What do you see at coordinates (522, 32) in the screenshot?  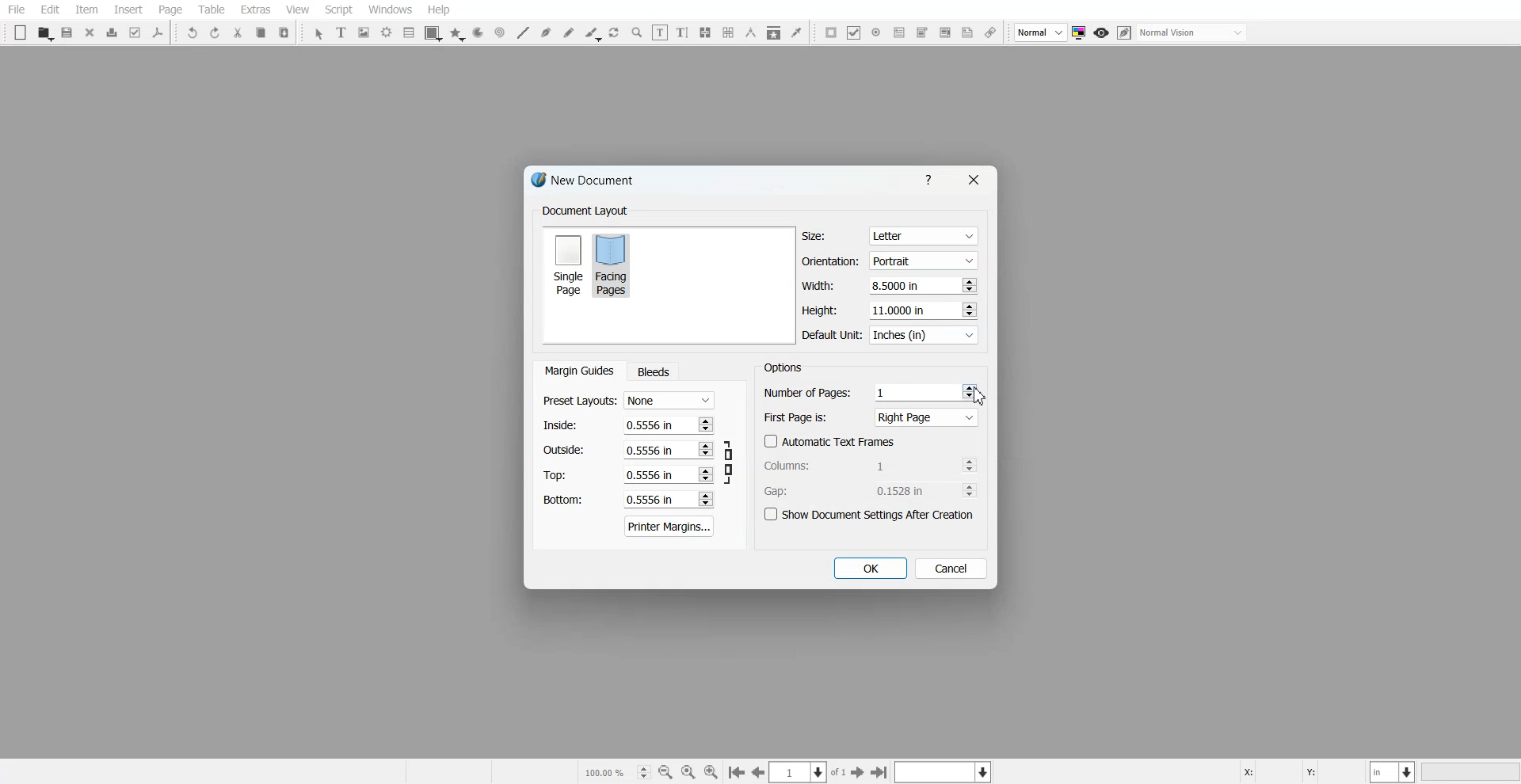 I see `Line` at bounding box center [522, 32].